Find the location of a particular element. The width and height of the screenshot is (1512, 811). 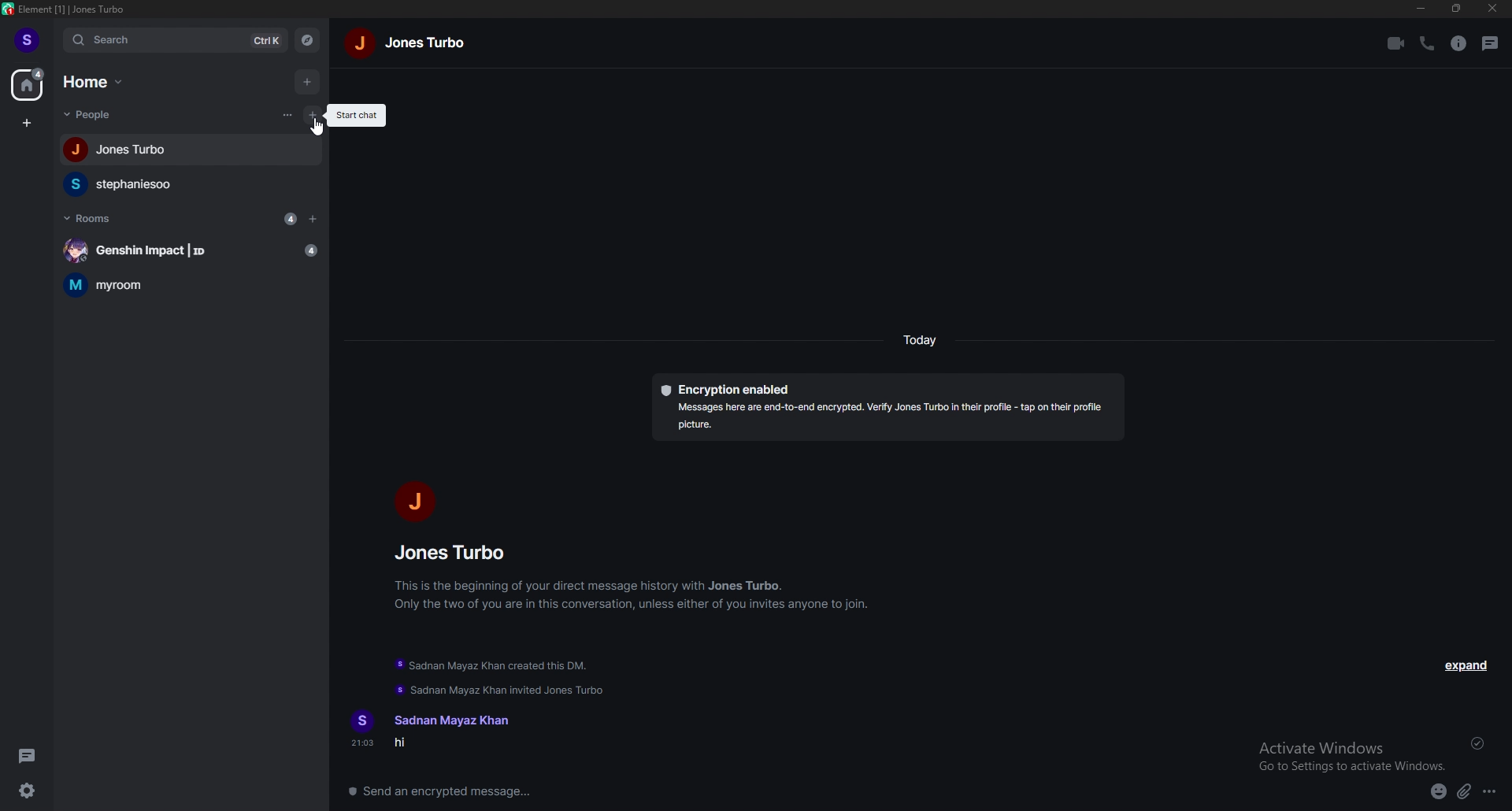

video call is located at coordinates (1394, 44).